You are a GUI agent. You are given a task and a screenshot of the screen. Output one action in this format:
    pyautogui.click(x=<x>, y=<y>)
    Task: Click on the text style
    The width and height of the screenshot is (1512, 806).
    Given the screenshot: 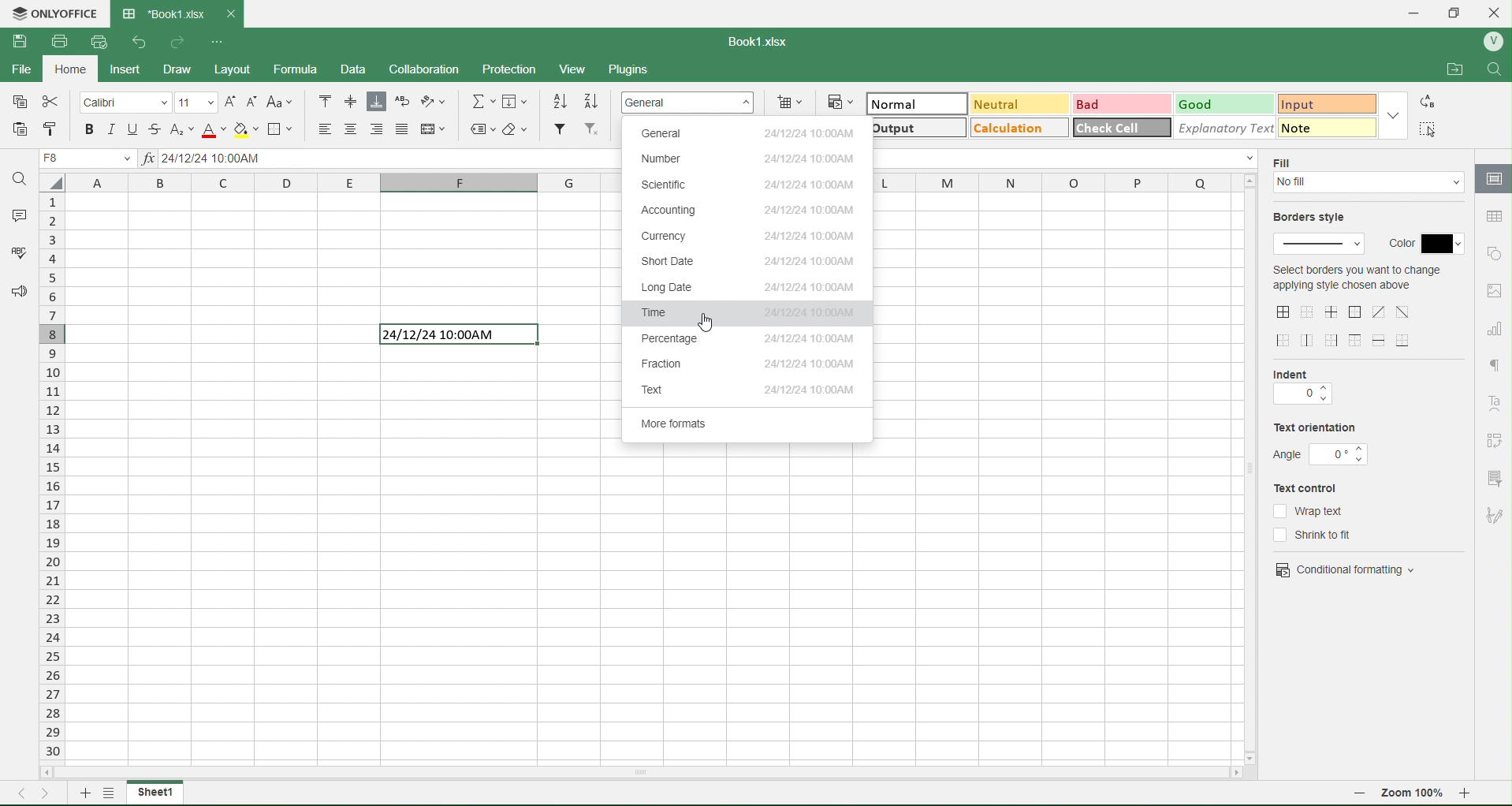 What is the action you would take?
    pyautogui.click(x=1497, y=404)
    